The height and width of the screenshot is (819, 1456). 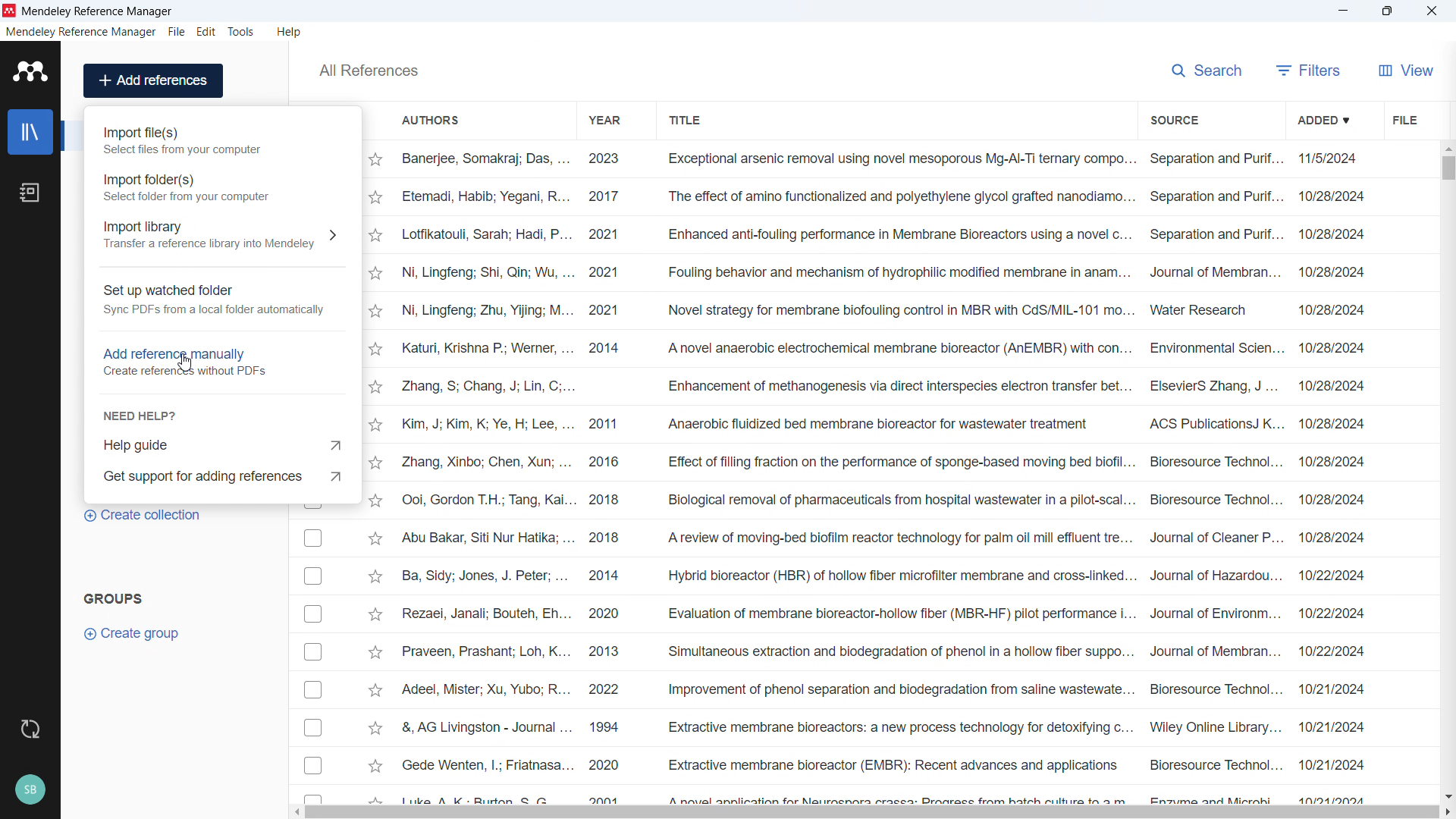 I want to click on Sort by date added , so click(x=1322, y=119).